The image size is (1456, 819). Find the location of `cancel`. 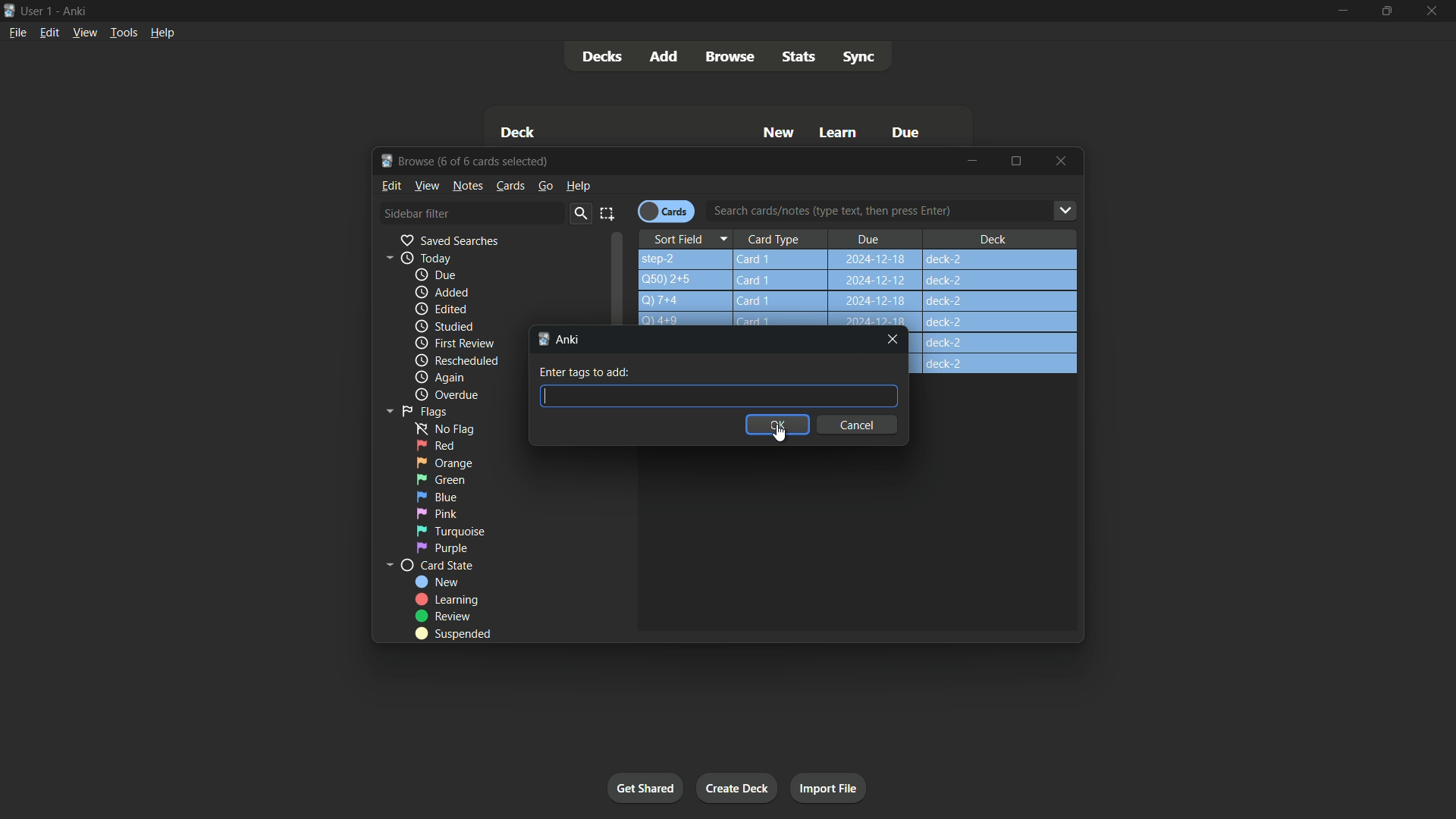

cancel is located at coordinates (861, 425).